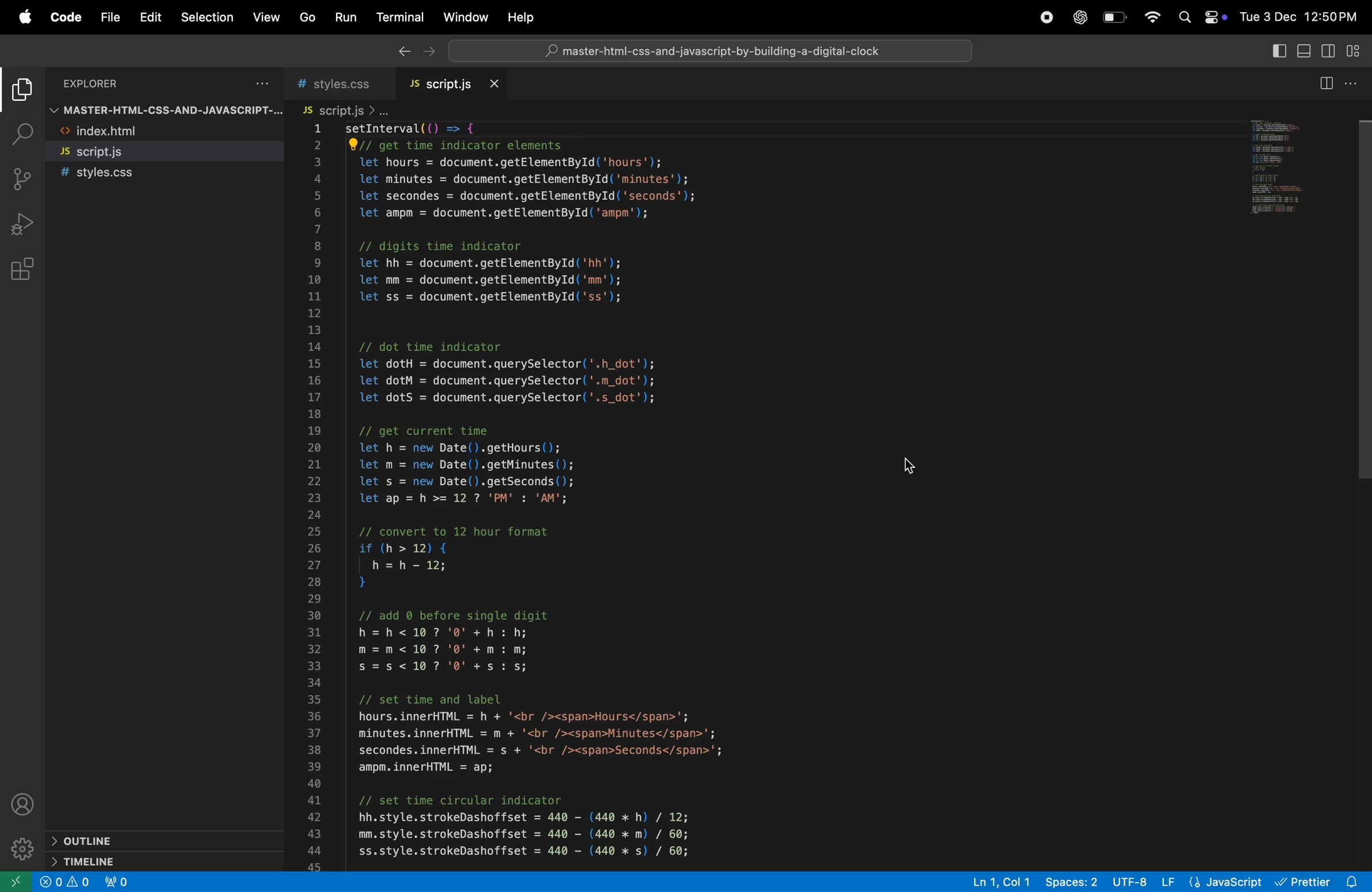 This screenshot has width=1372, height=892. What do you see at coordinates (267, 20) in the screenshot?
I see `view` at bounding box center [267, 20].